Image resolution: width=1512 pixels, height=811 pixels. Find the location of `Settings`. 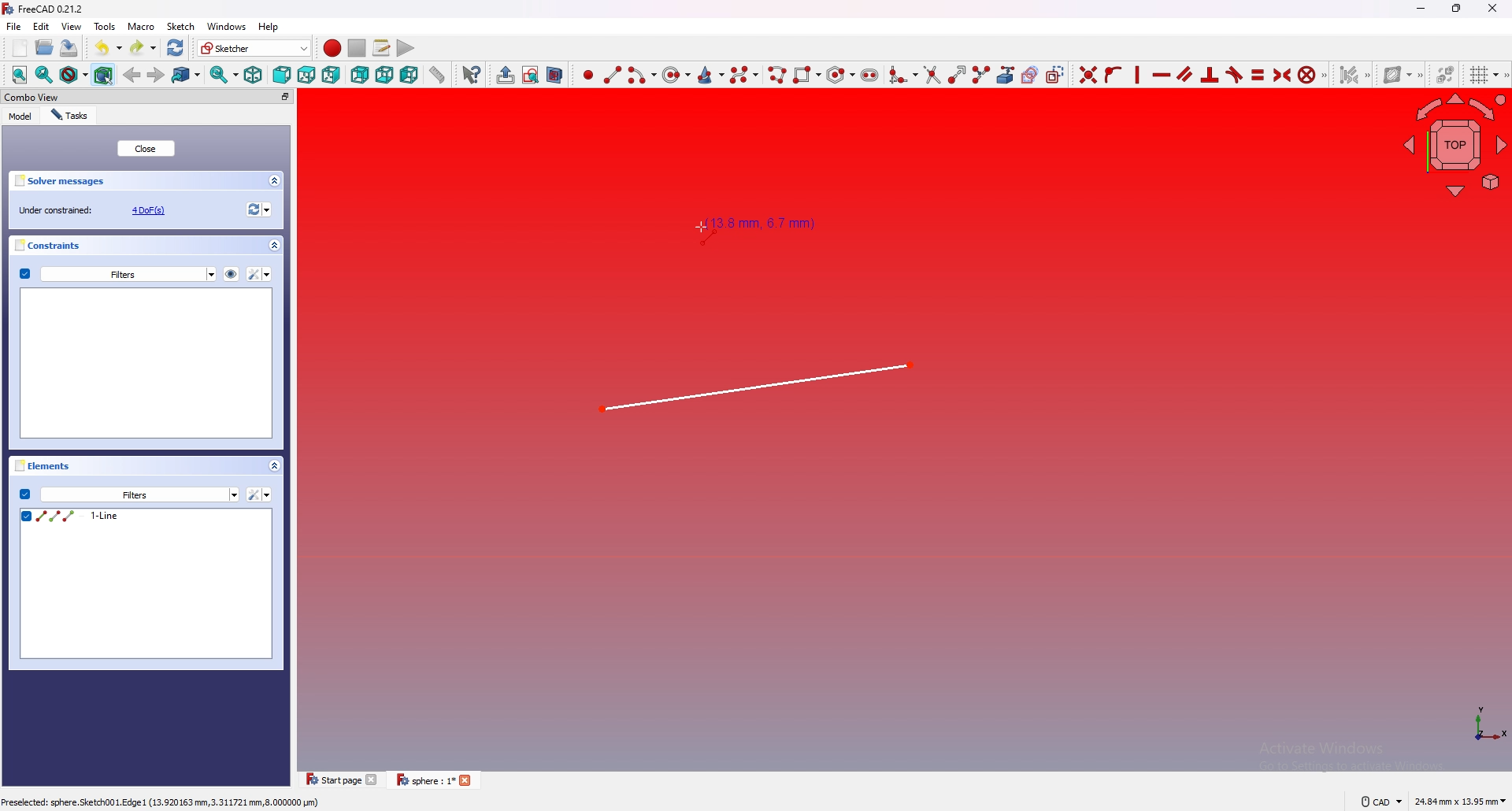

Settings is located at coordinates (140, 495).